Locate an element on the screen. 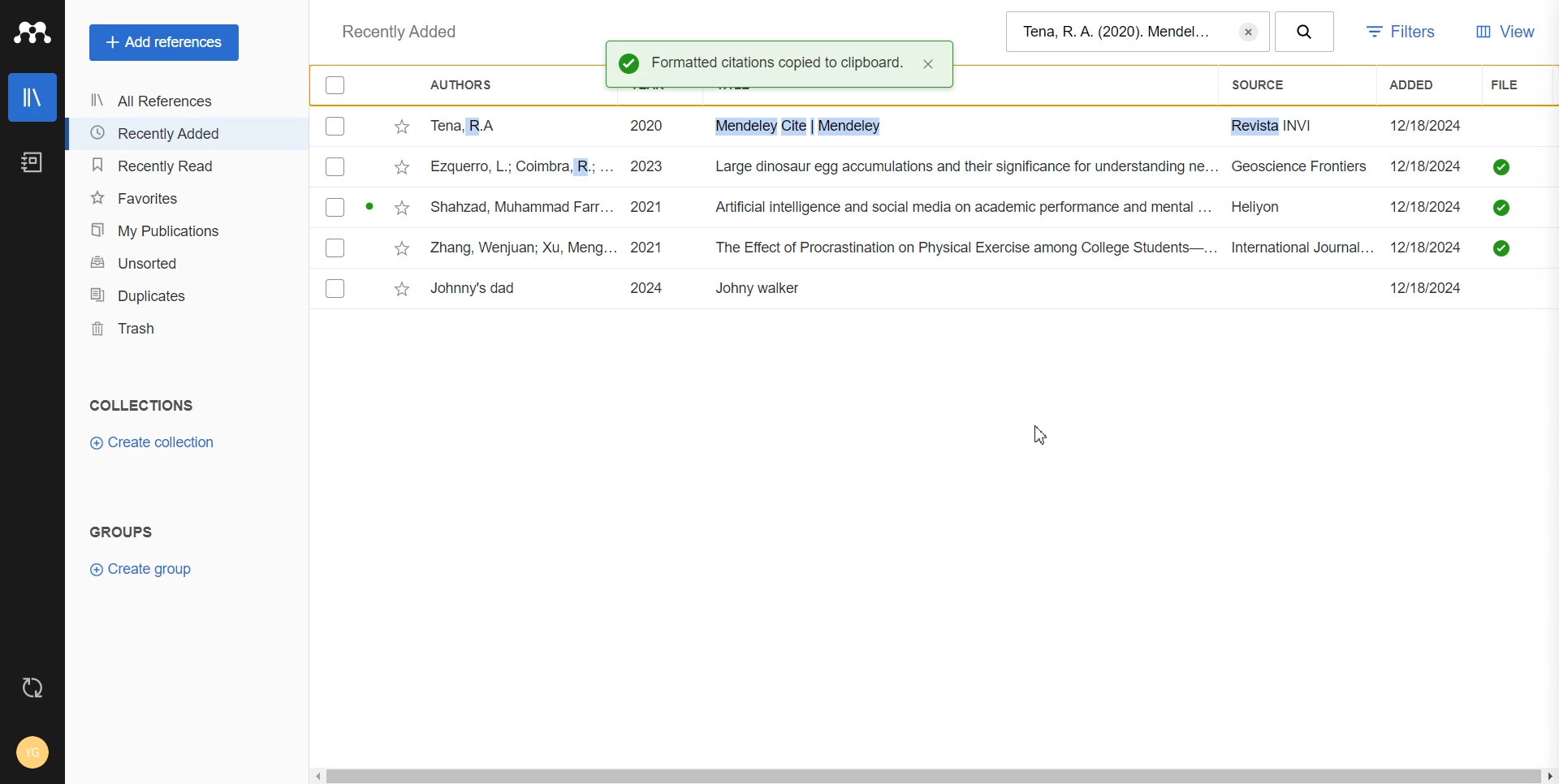 The height and width of the screenshot is (784, 1559). saved is located at coordinates (1504, 166).